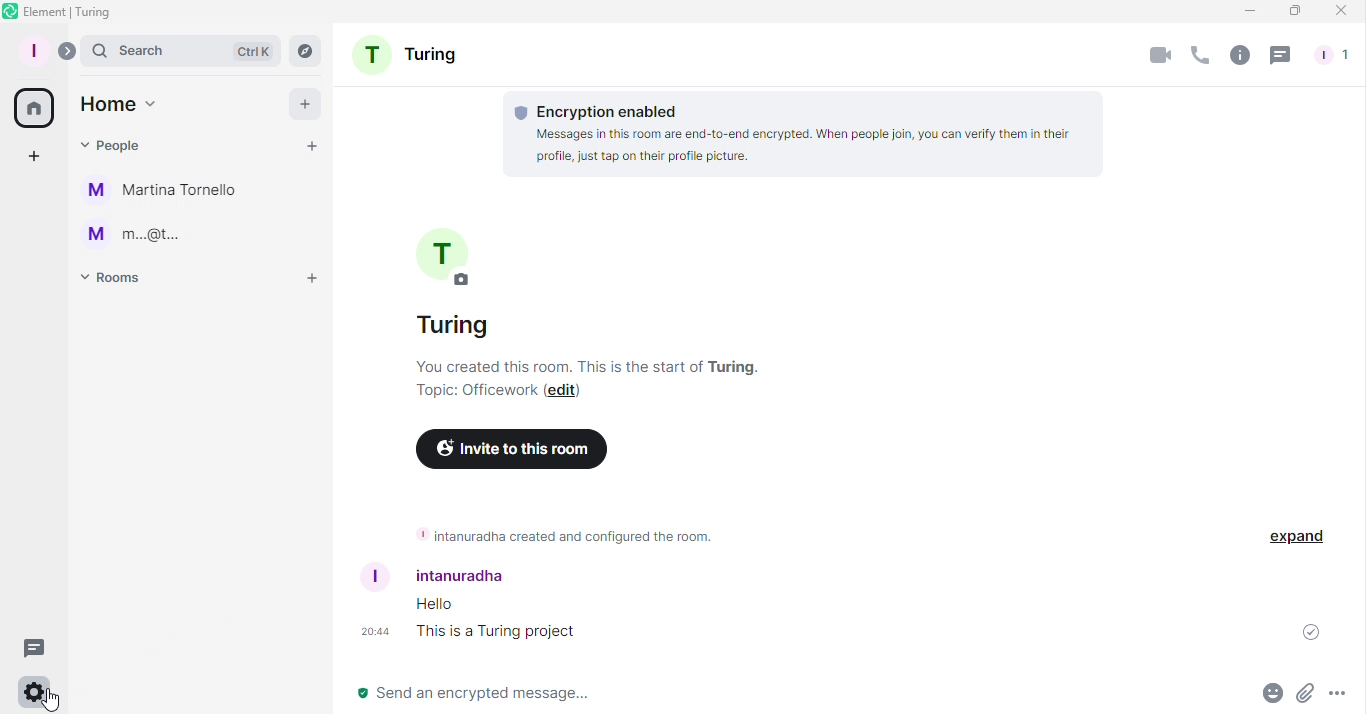 The width and height of the screenshot is (1366, 714). I want to click on Video call, so click(1160, 54).